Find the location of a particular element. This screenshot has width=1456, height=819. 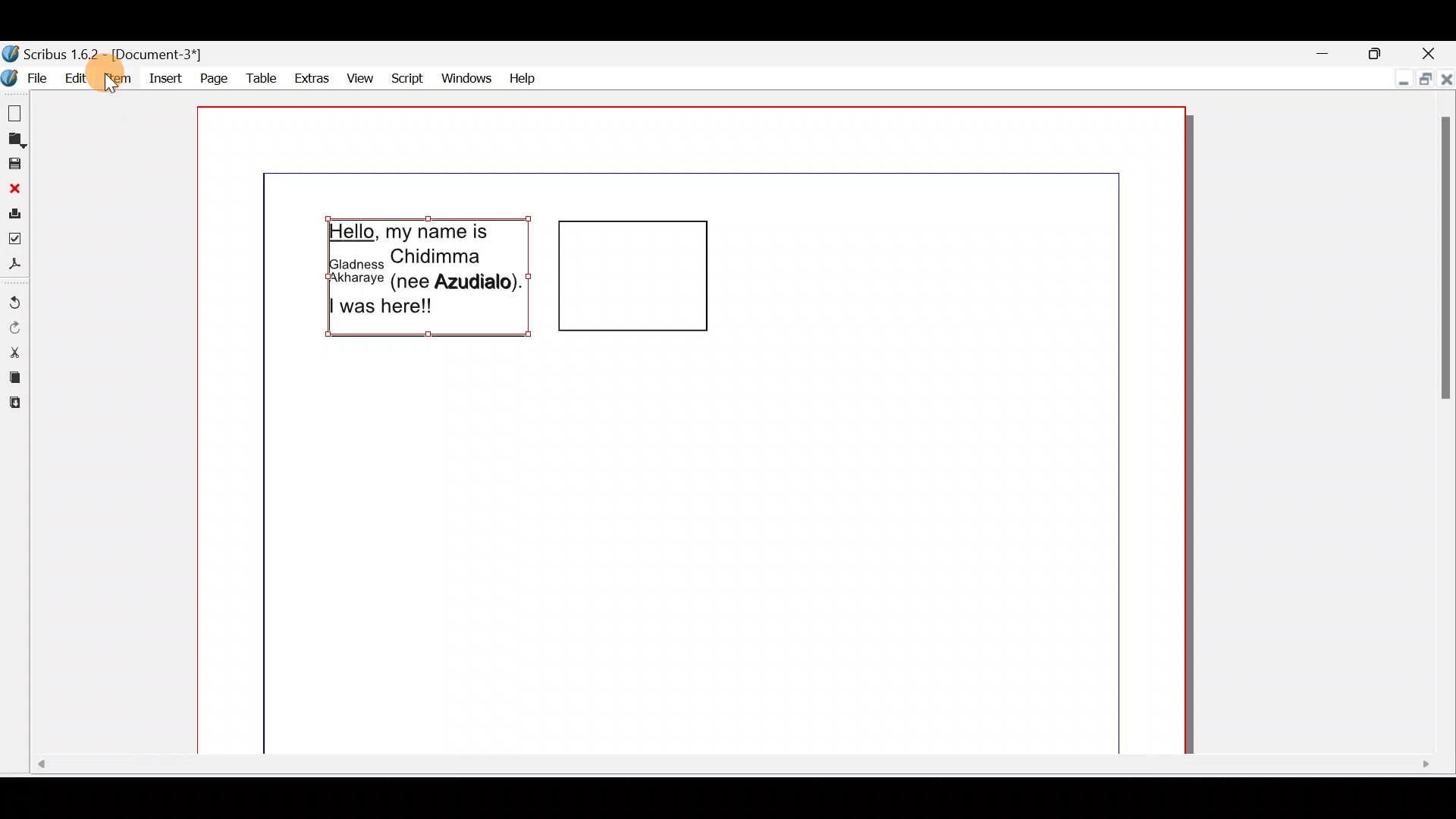

View is located at coordinates (362, 76).